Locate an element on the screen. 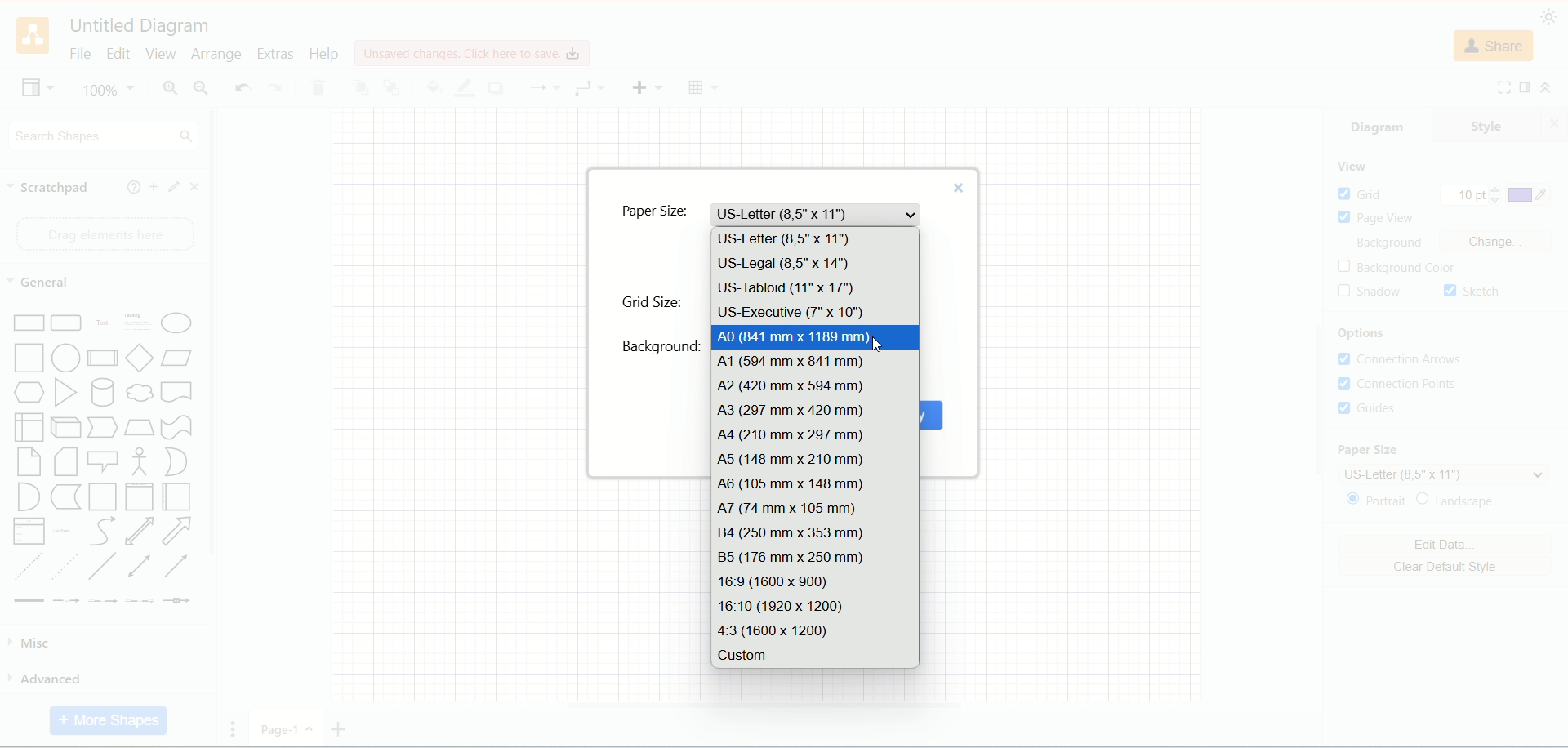 This screenshot has height=748, width=1568. 4:3 is located at coordinates (814, 630).